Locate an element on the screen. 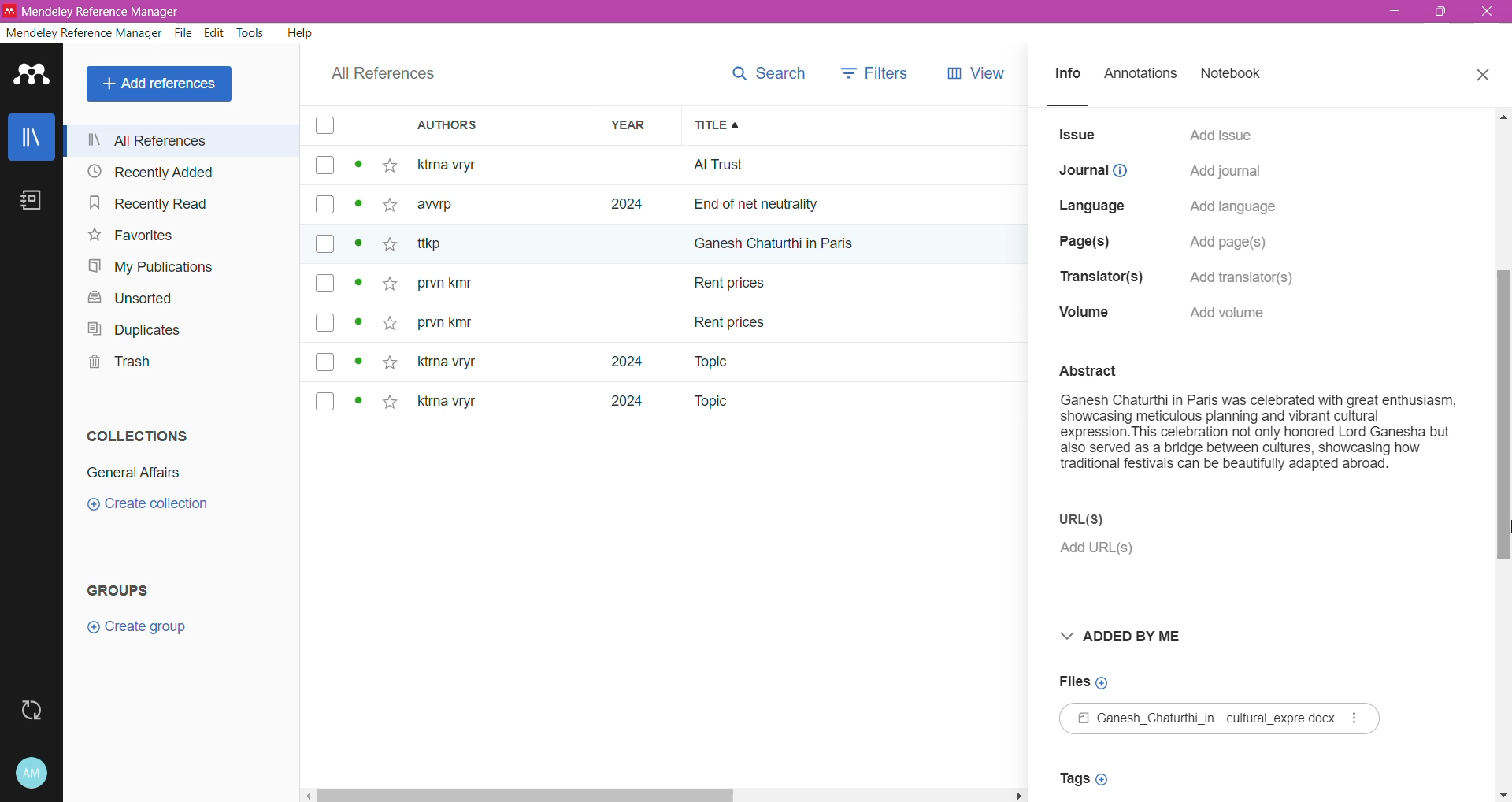 The width and height of the screenshot is (1512, 802). Tags is located at coordinates (1088, 778).